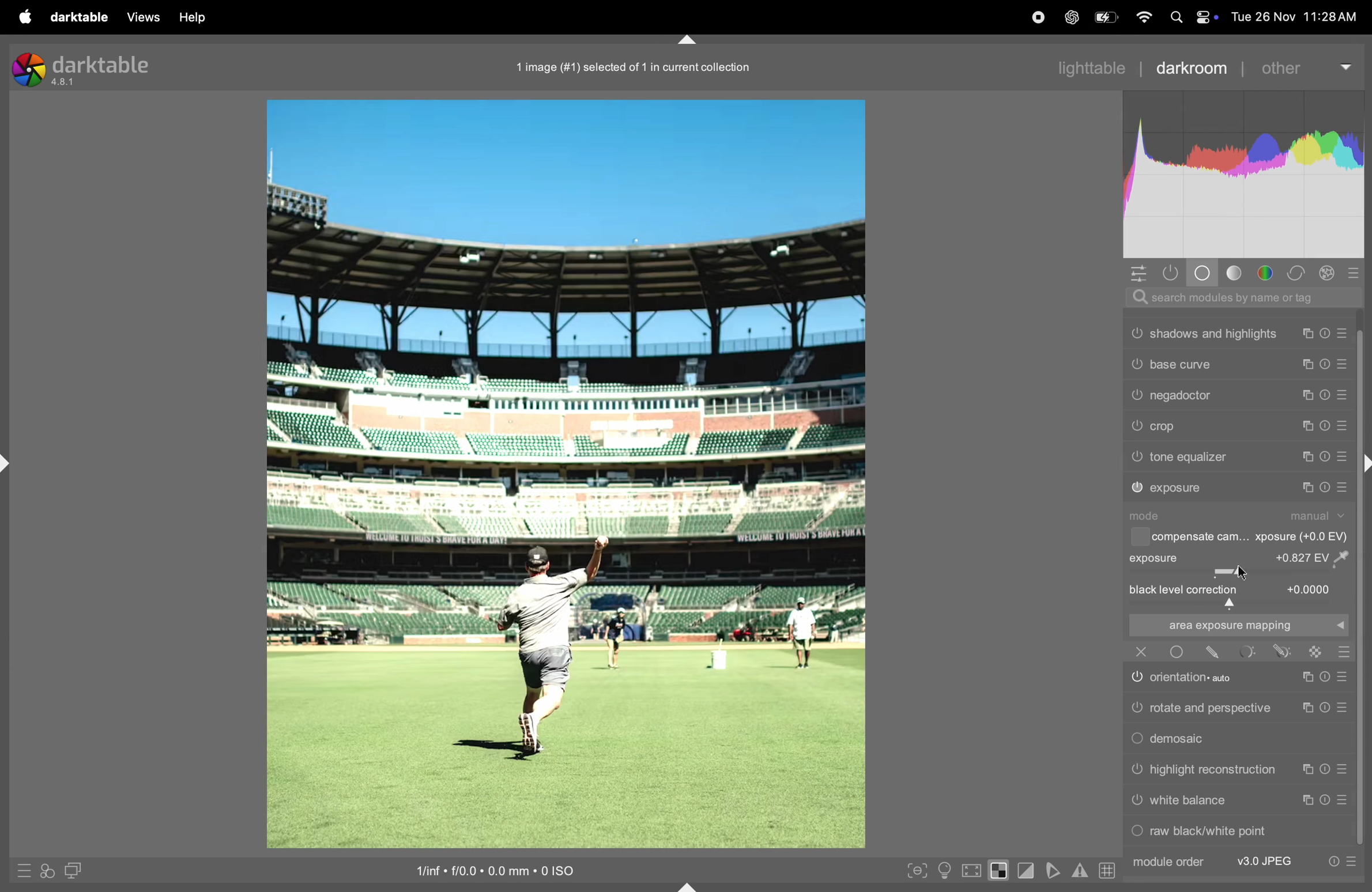 This screenshot has height=892, width=1372. I want to click on apple menu, so click(22, 17).